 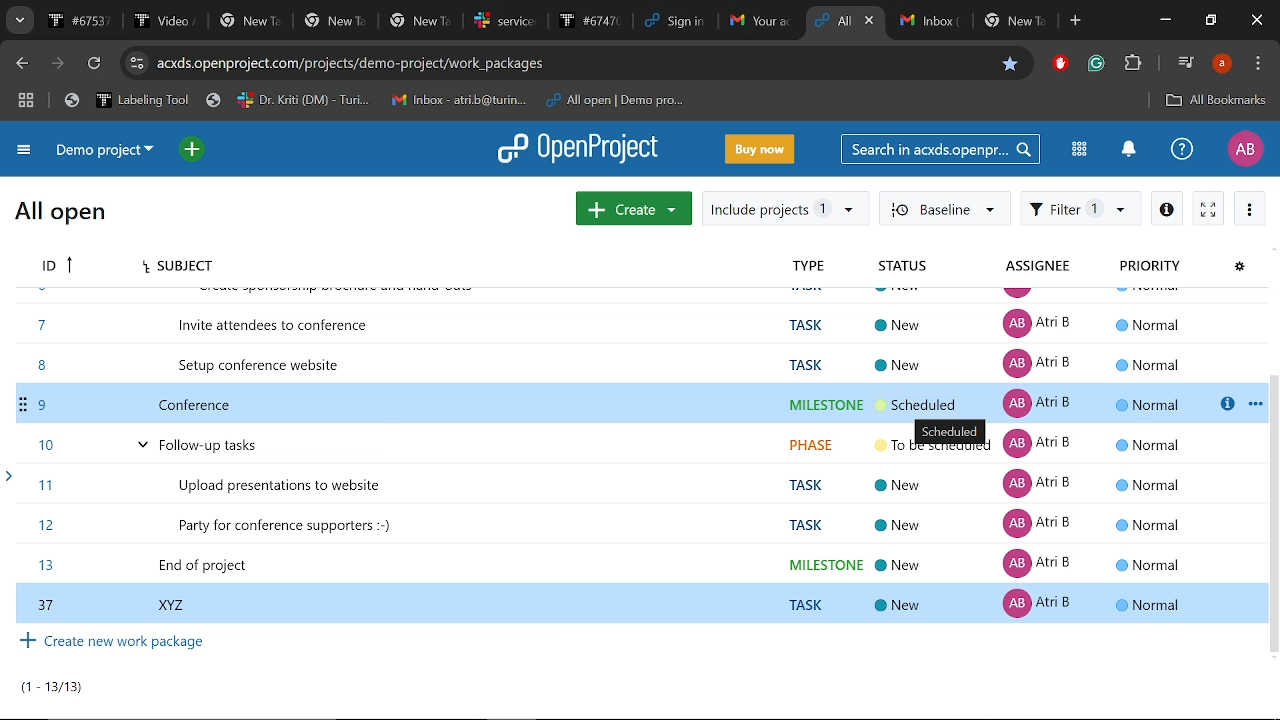 What do you see at coordinates (1096, 65) in the screenshot?
I see `Grammerly` at bounding box center [1096, 65].